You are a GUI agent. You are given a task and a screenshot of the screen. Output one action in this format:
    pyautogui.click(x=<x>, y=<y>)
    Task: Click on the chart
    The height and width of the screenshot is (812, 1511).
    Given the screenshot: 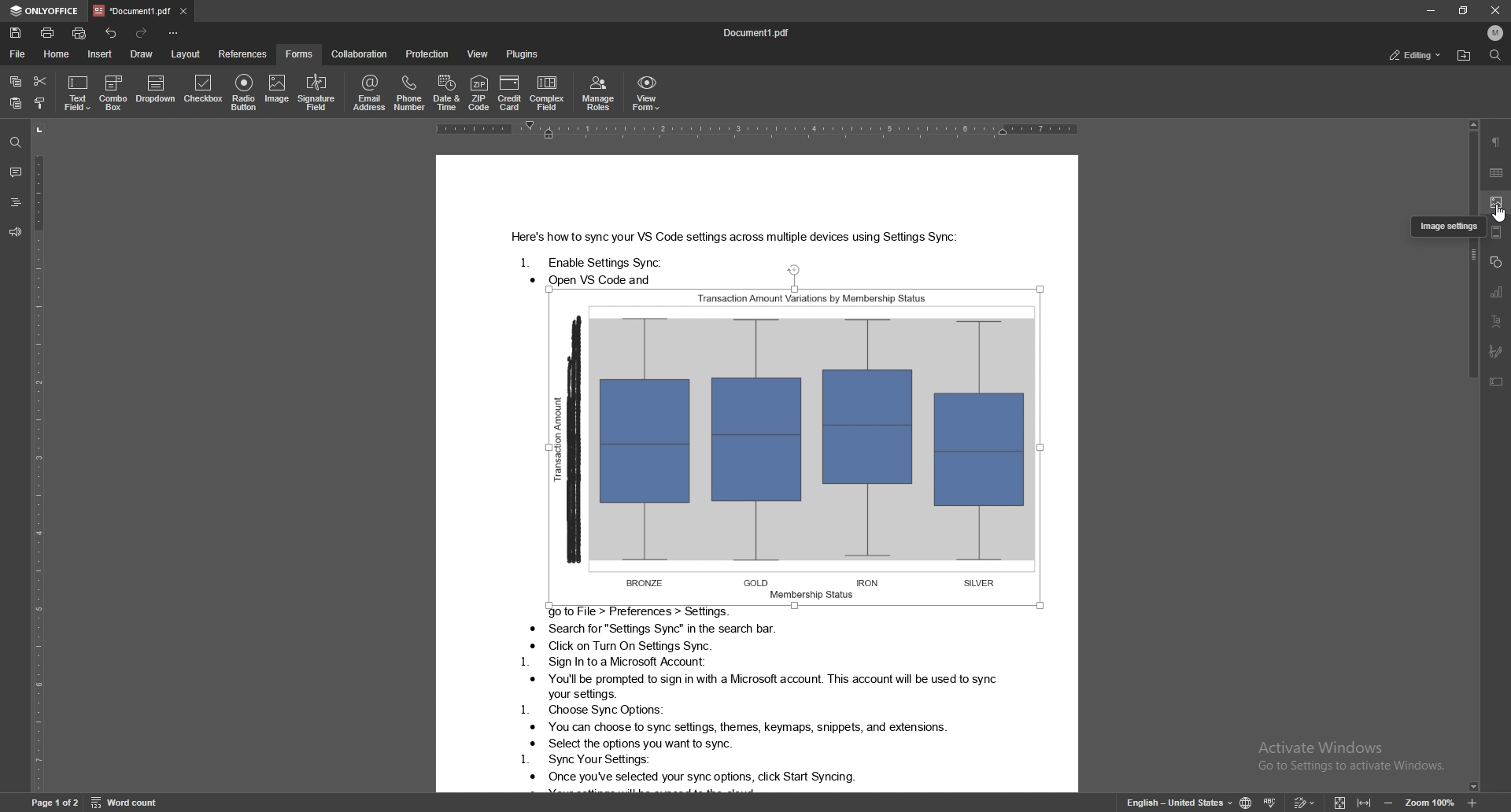 What is the action you would take?
    pyautogui.click(x=1498, y=292)
    